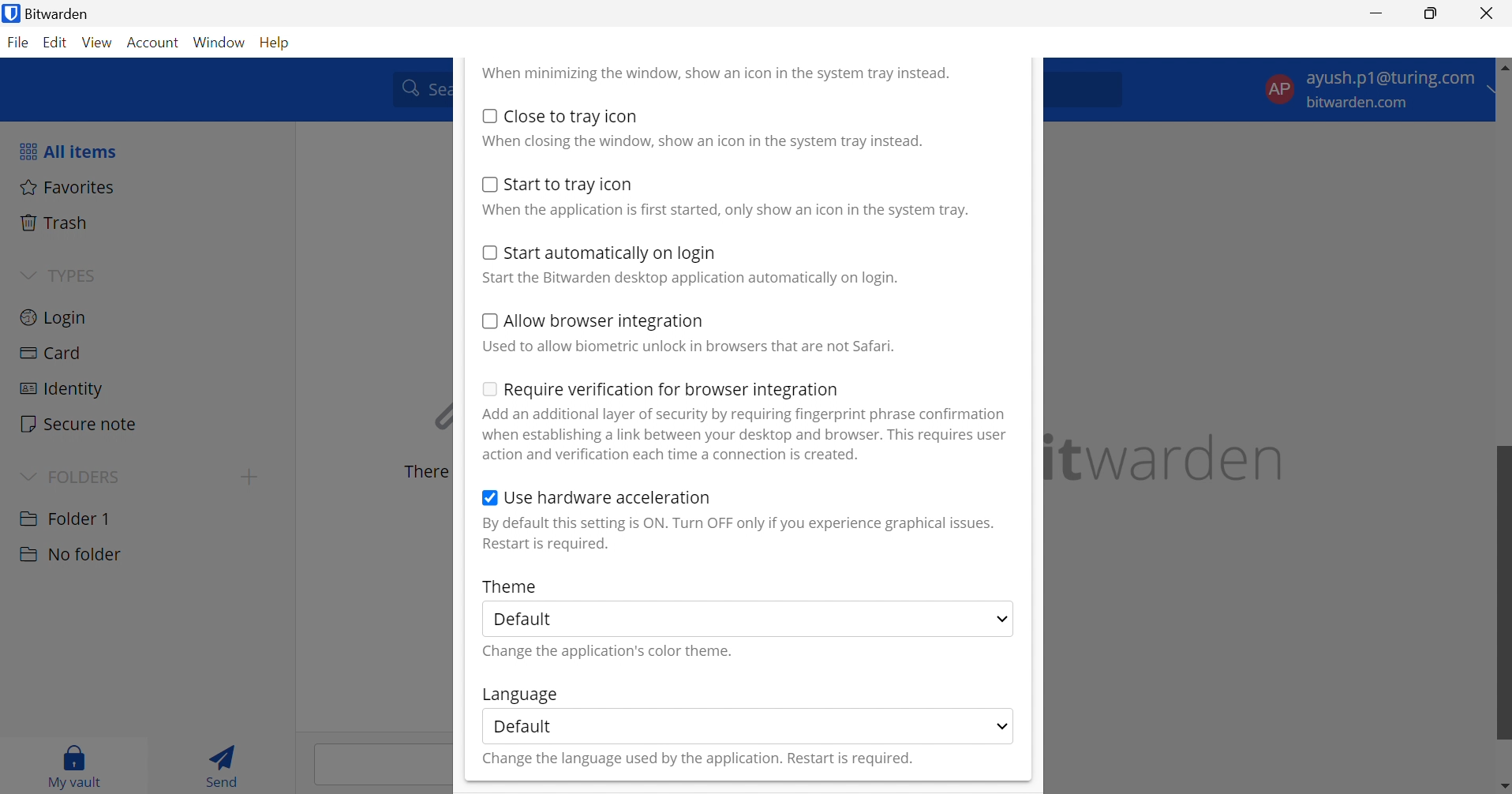 This screenshot has width=1512, height=794. What do you see at coordinates (227, 764) in the screenshot?
I see `Send` at bounding box center [227, 764].